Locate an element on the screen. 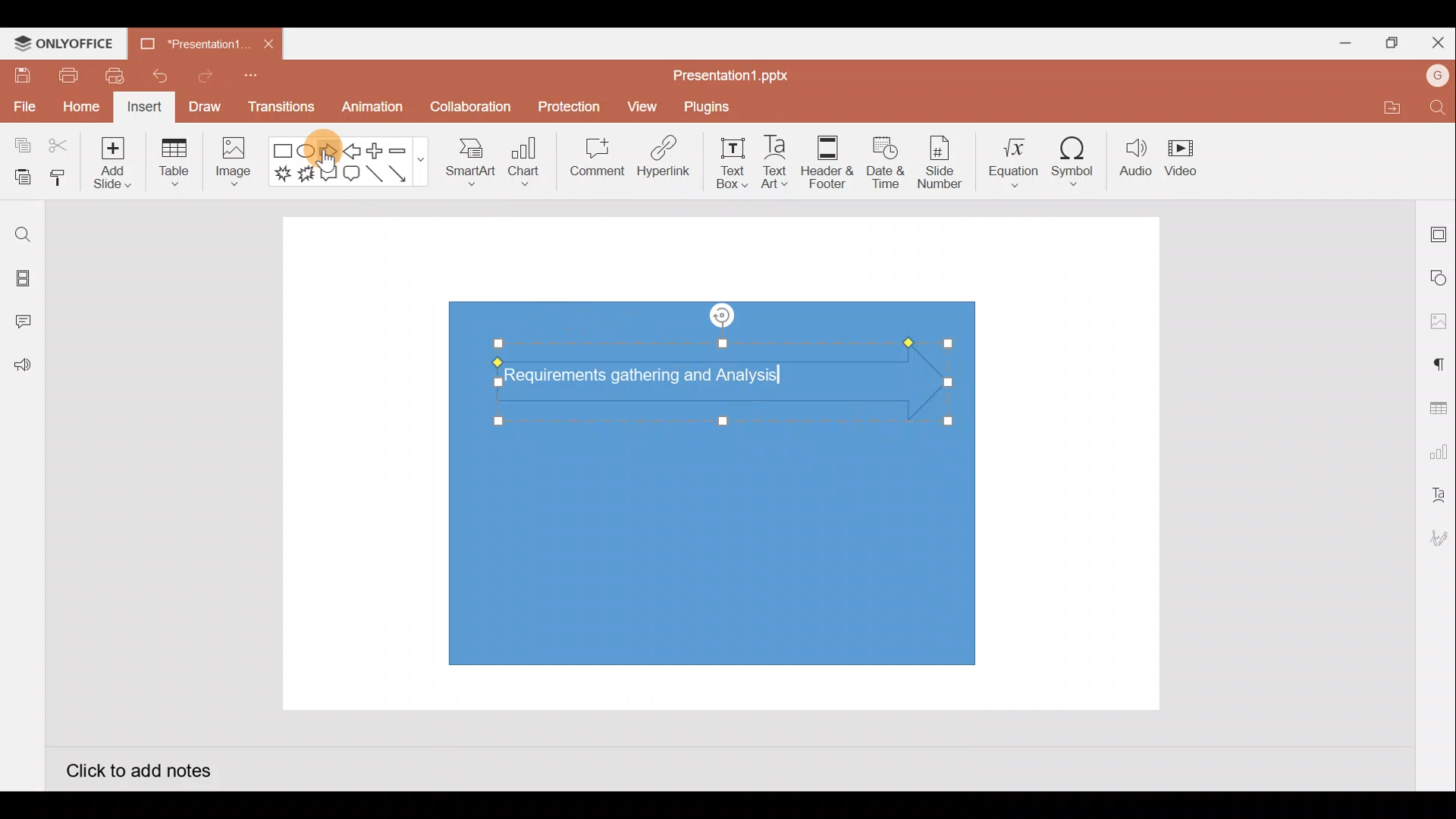 Image resolution: width=1456 pixels, height=819 pixels. Text (Requirements gathering and Analysis) in arrow shape is located at coordinates (654, 378).